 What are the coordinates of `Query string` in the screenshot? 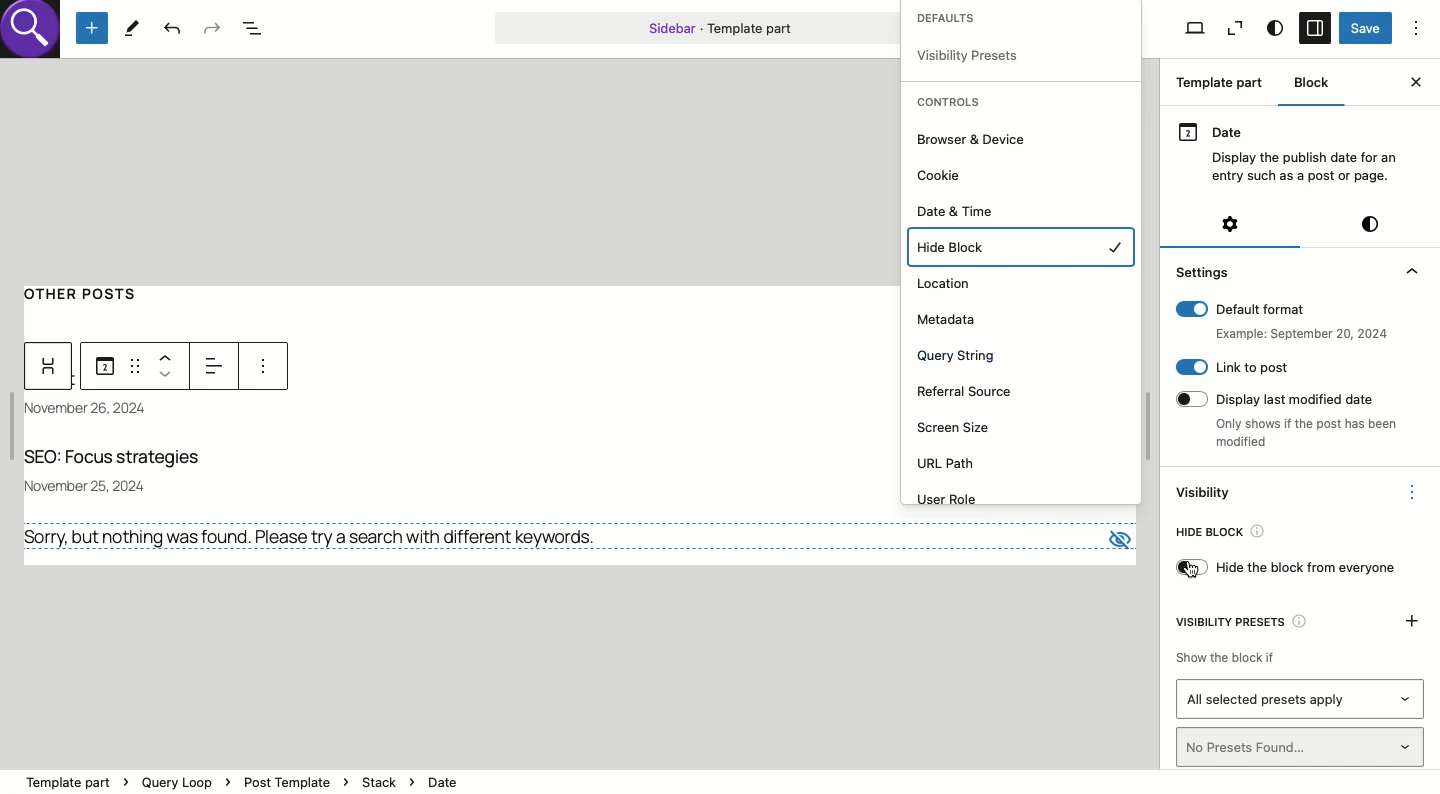 It's located at (960, 356).